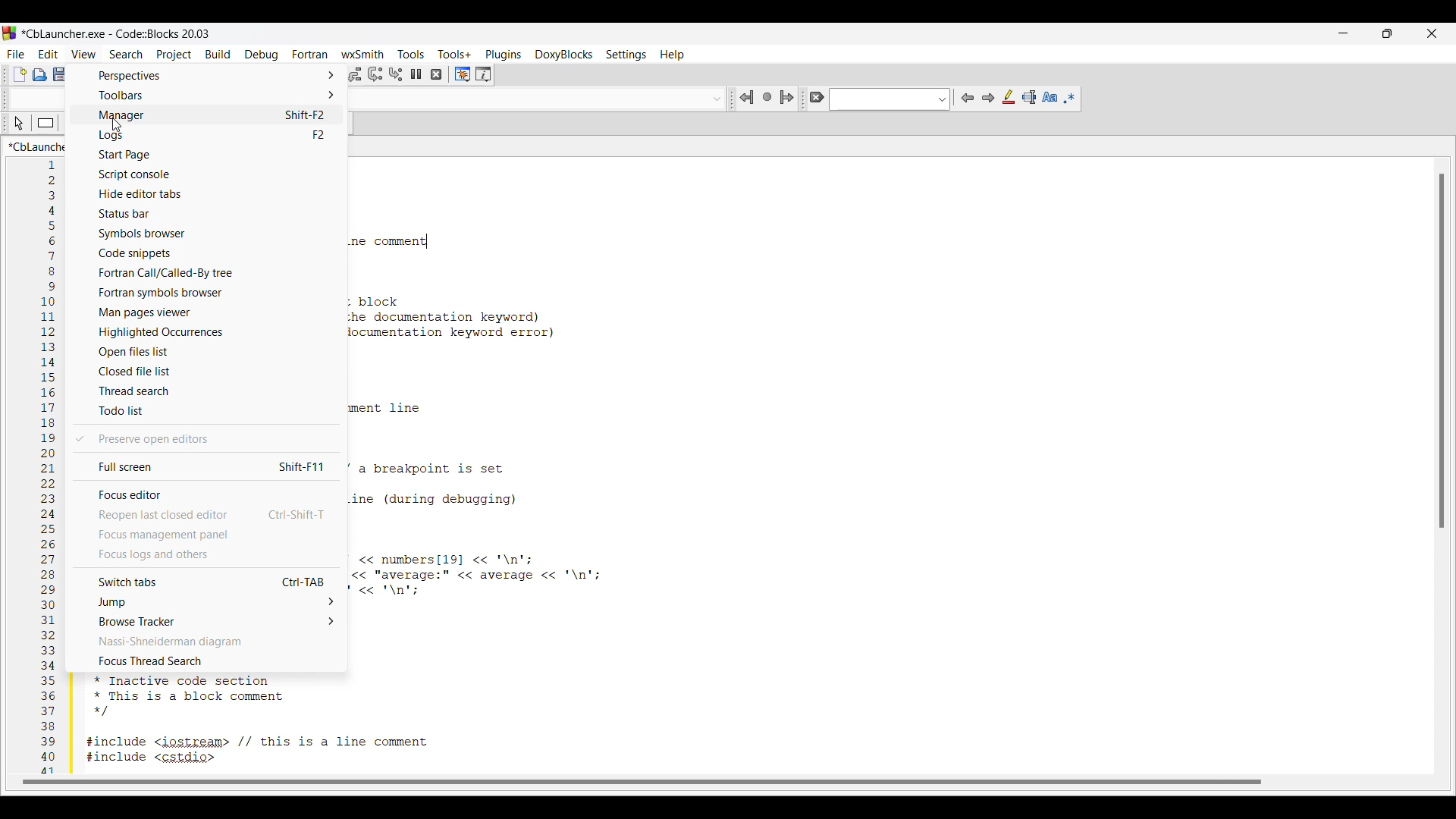  Describe the element at coordinates (504, 55) in the screenshot. I see `Plugins menu` at that location.